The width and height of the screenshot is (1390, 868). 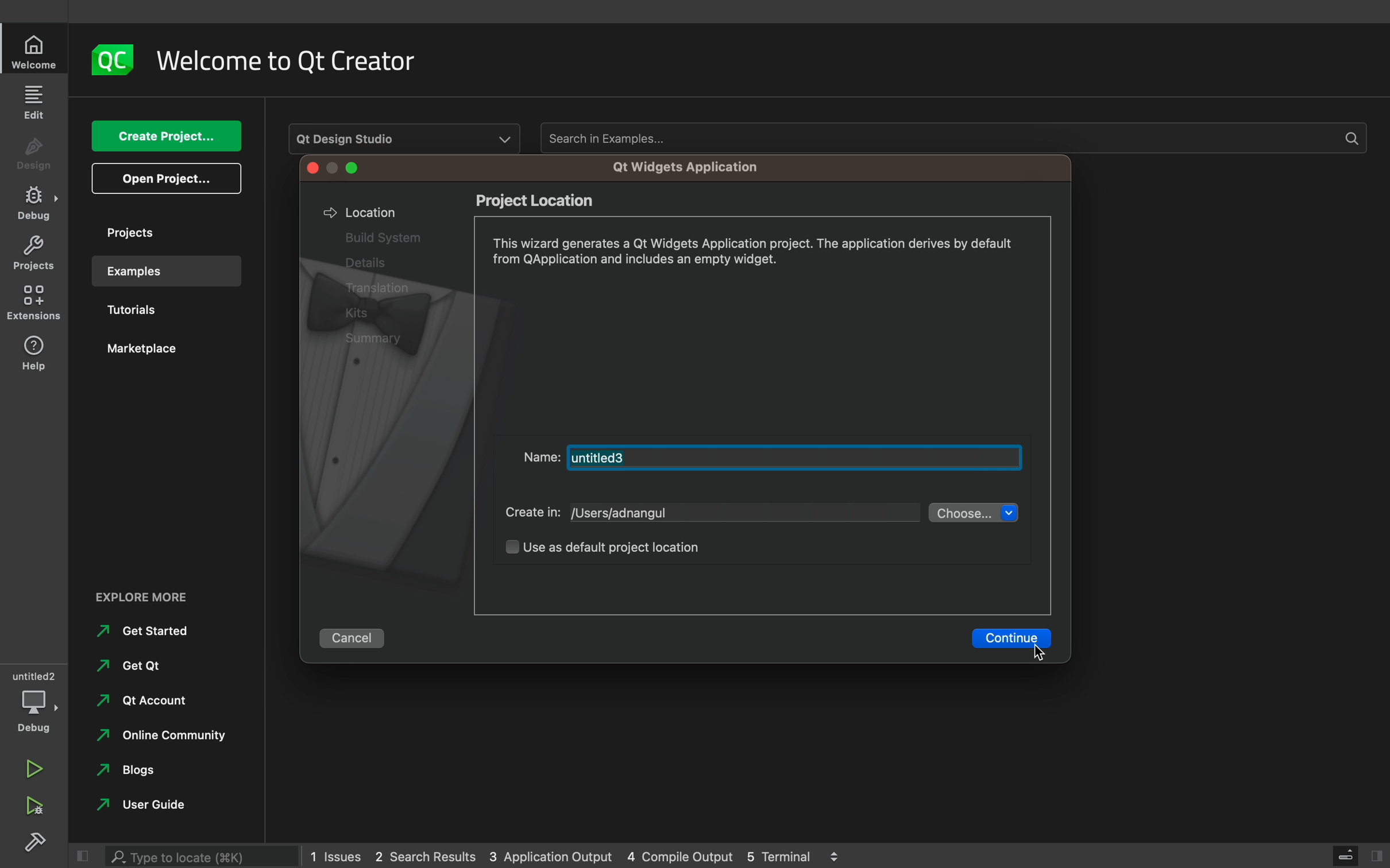 I want to click on close bar, so click(x=1358, y=852).